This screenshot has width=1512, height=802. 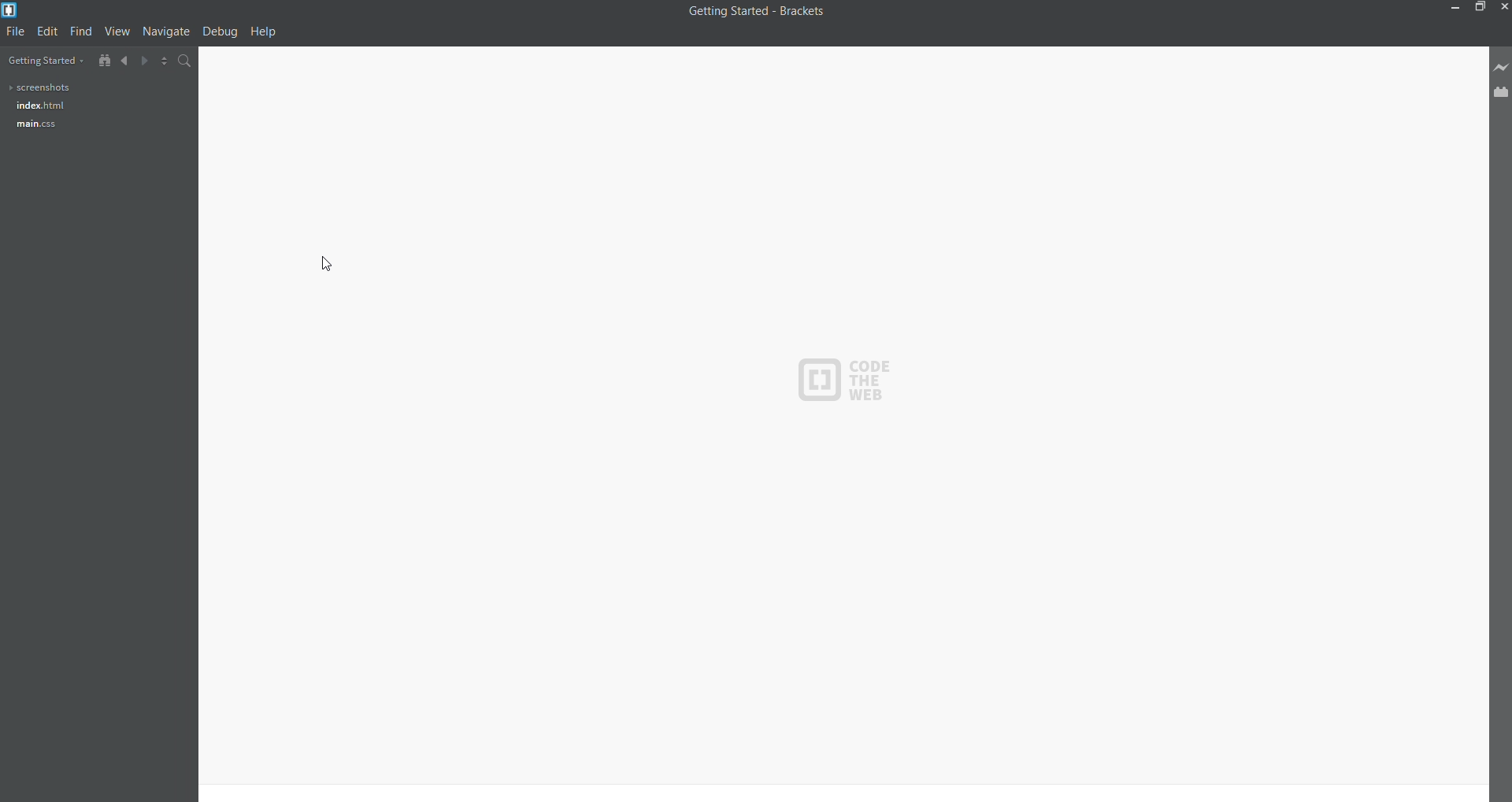 What do you see at coordinates (37, 106) in the screenshot?
I see `index.html` at bounding box center [37, 106].